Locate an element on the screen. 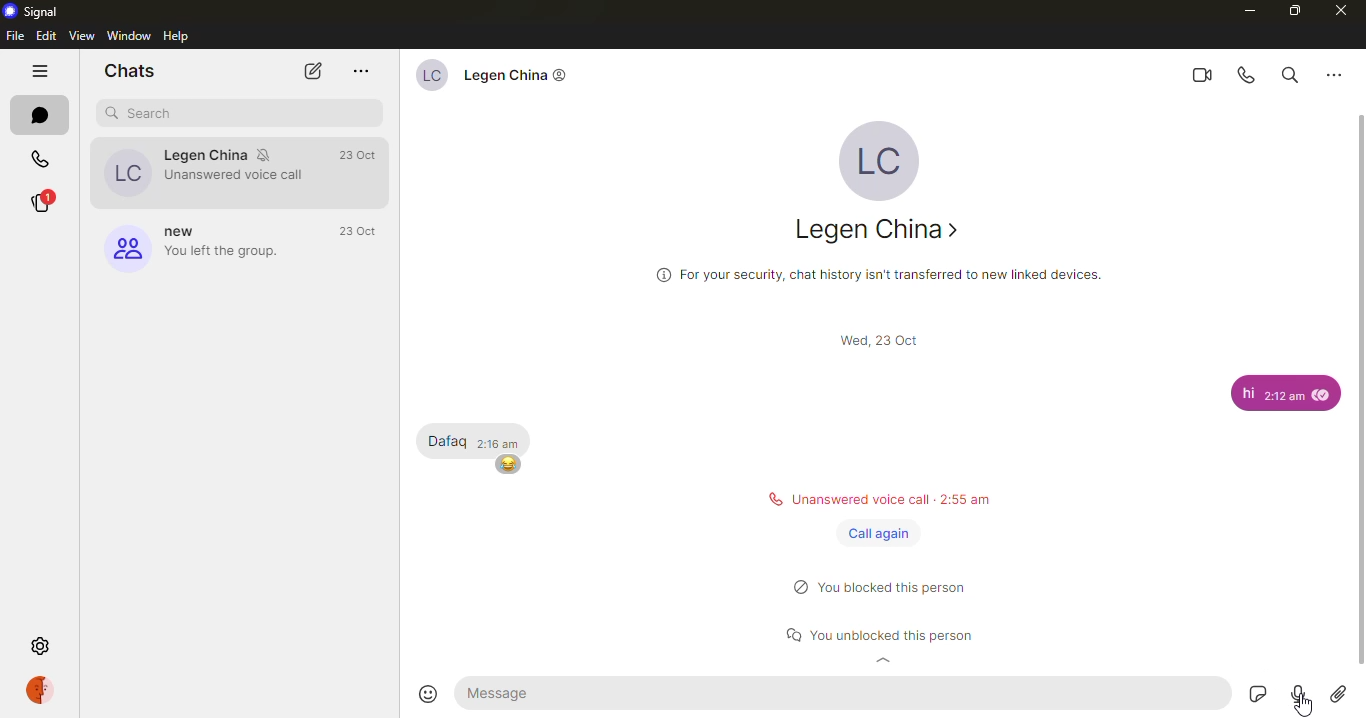 This screenshot has width=1366, height=718. profile picture is located at coordinates (431, 74).